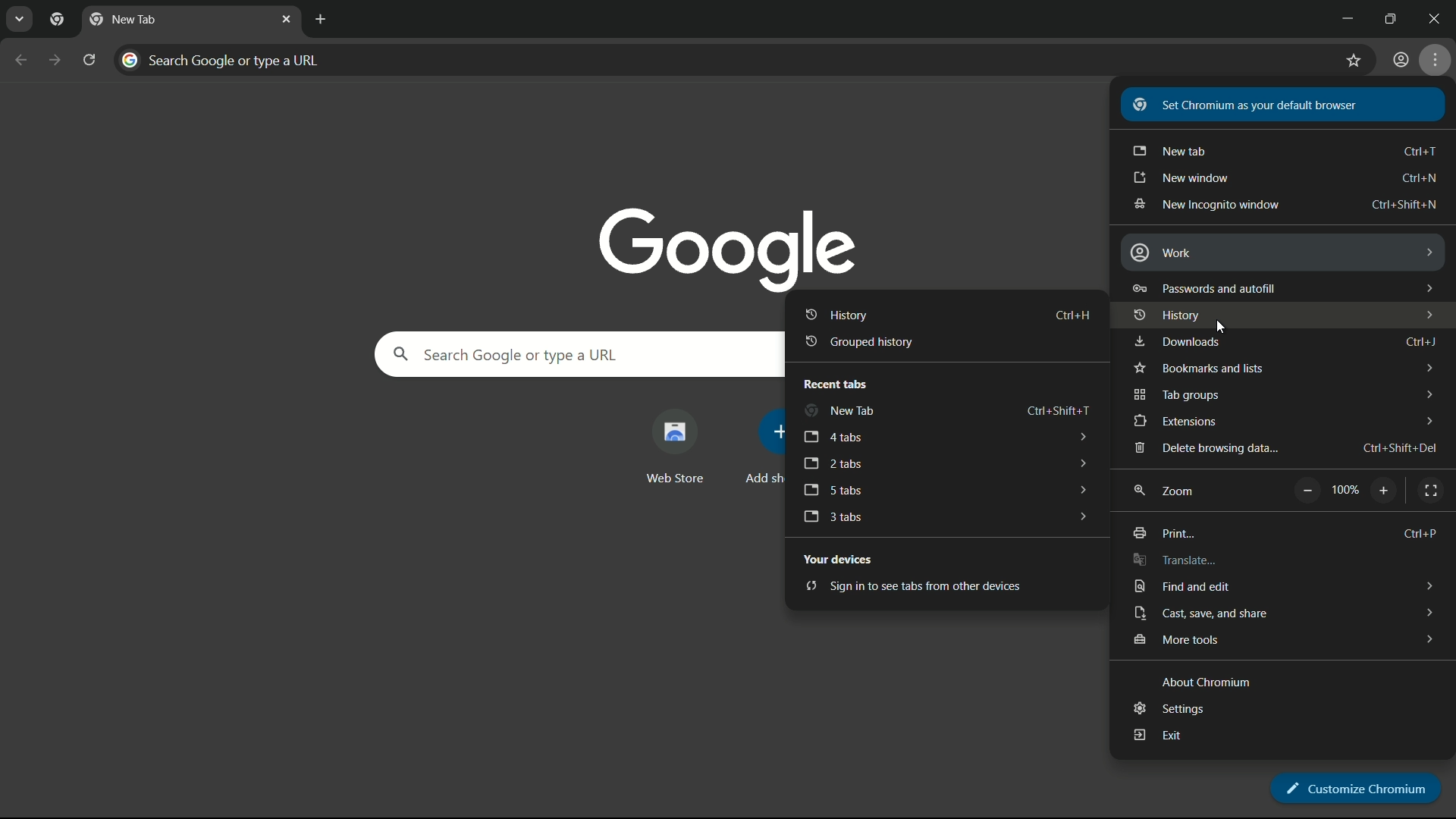 The image size is (1456, 819). Describe the element at coordinates (1175, 422) in the screenshot. I see `extensions` at that location.